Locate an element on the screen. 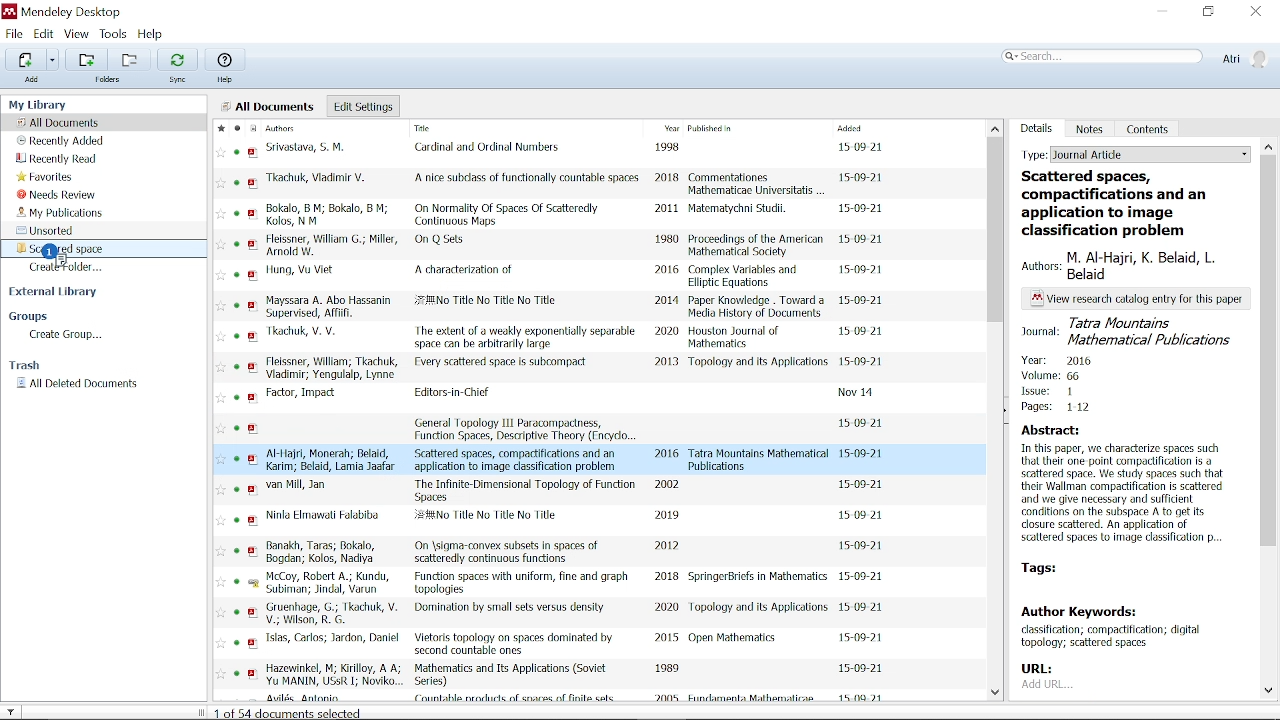  authors is located at coordinates (329, 584).